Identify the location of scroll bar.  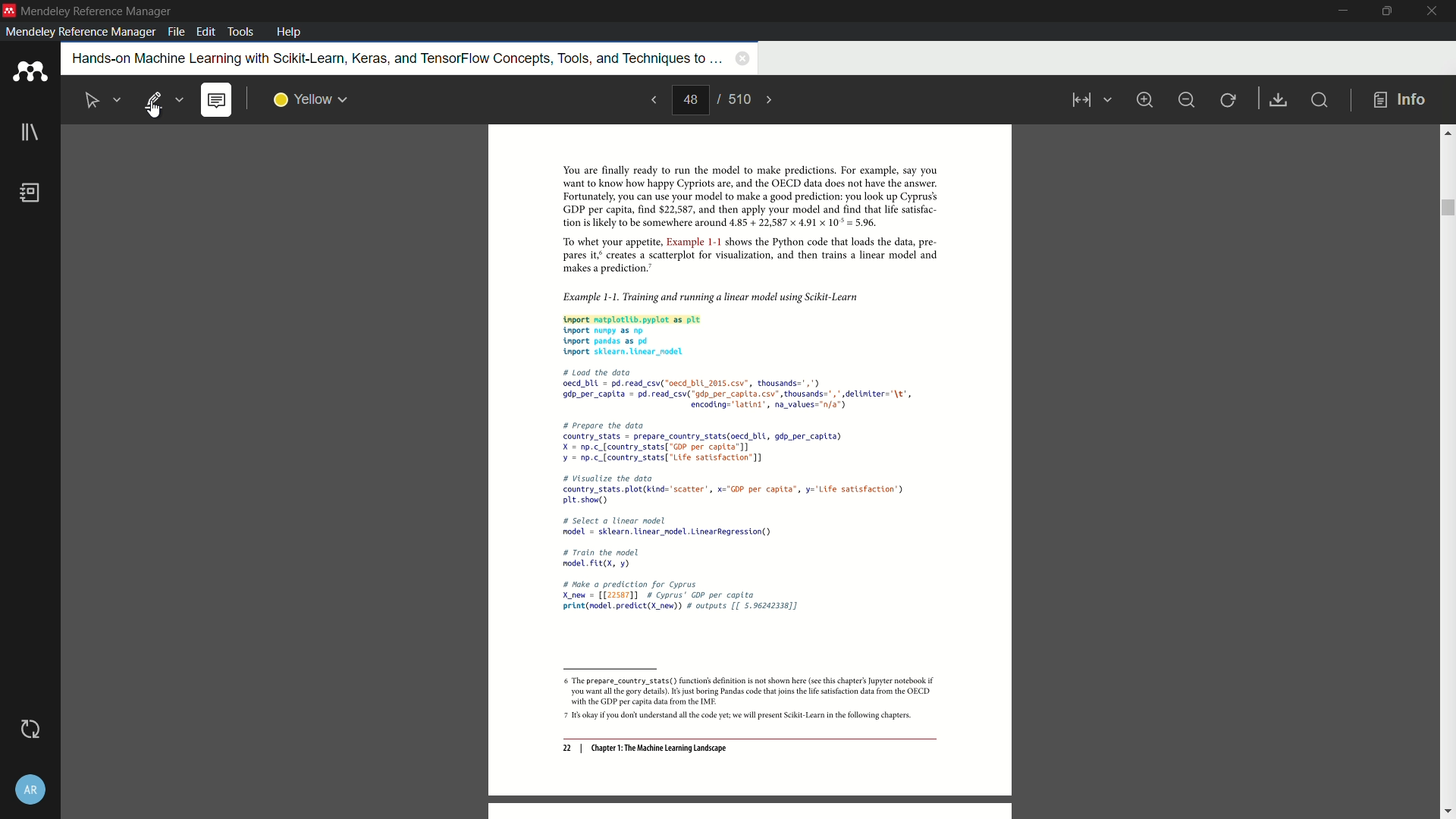
(1446, 208).